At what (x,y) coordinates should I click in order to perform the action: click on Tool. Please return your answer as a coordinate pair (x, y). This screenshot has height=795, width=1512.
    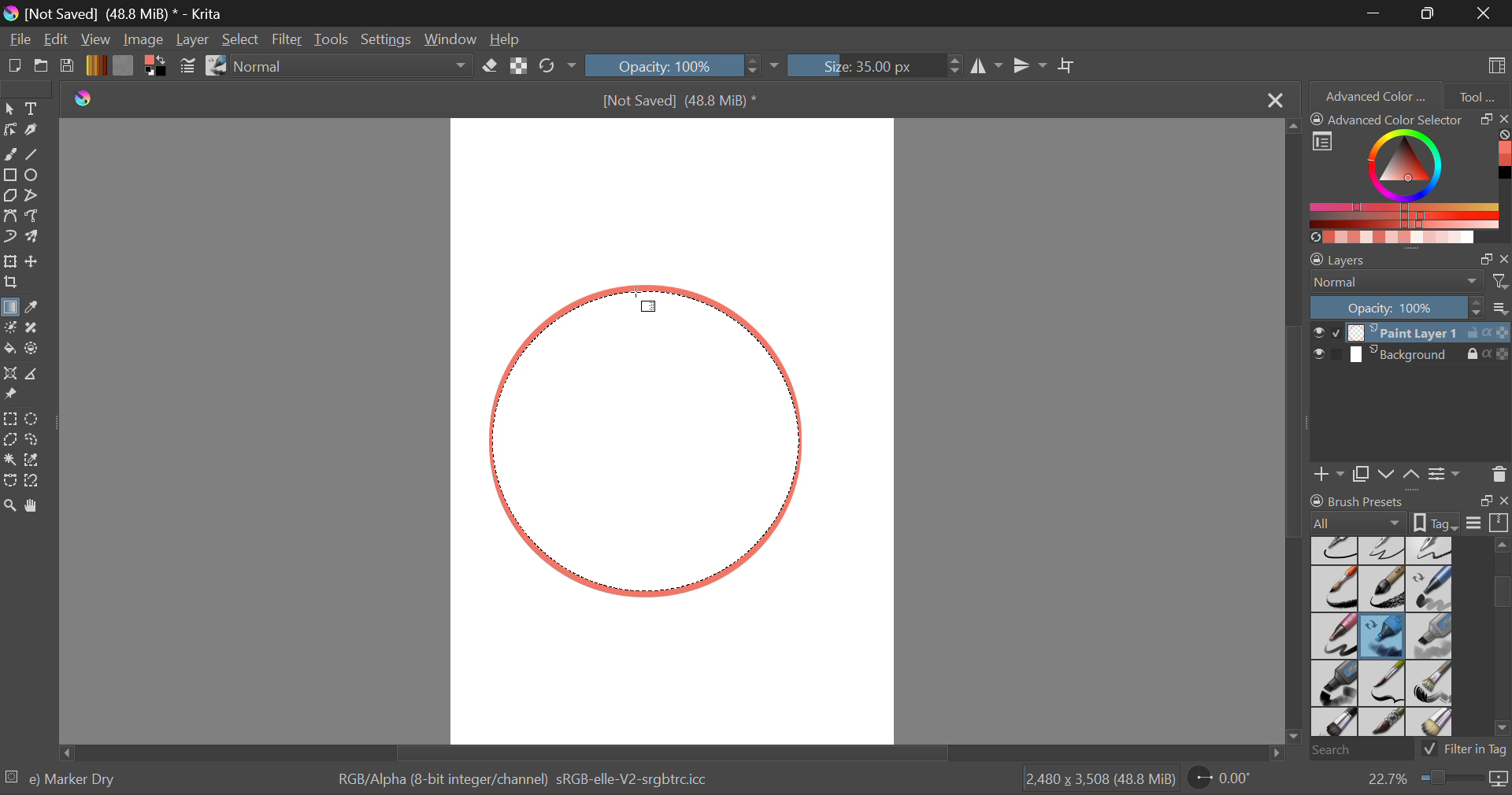
    Looking at the image, I should click on (1477, 94).